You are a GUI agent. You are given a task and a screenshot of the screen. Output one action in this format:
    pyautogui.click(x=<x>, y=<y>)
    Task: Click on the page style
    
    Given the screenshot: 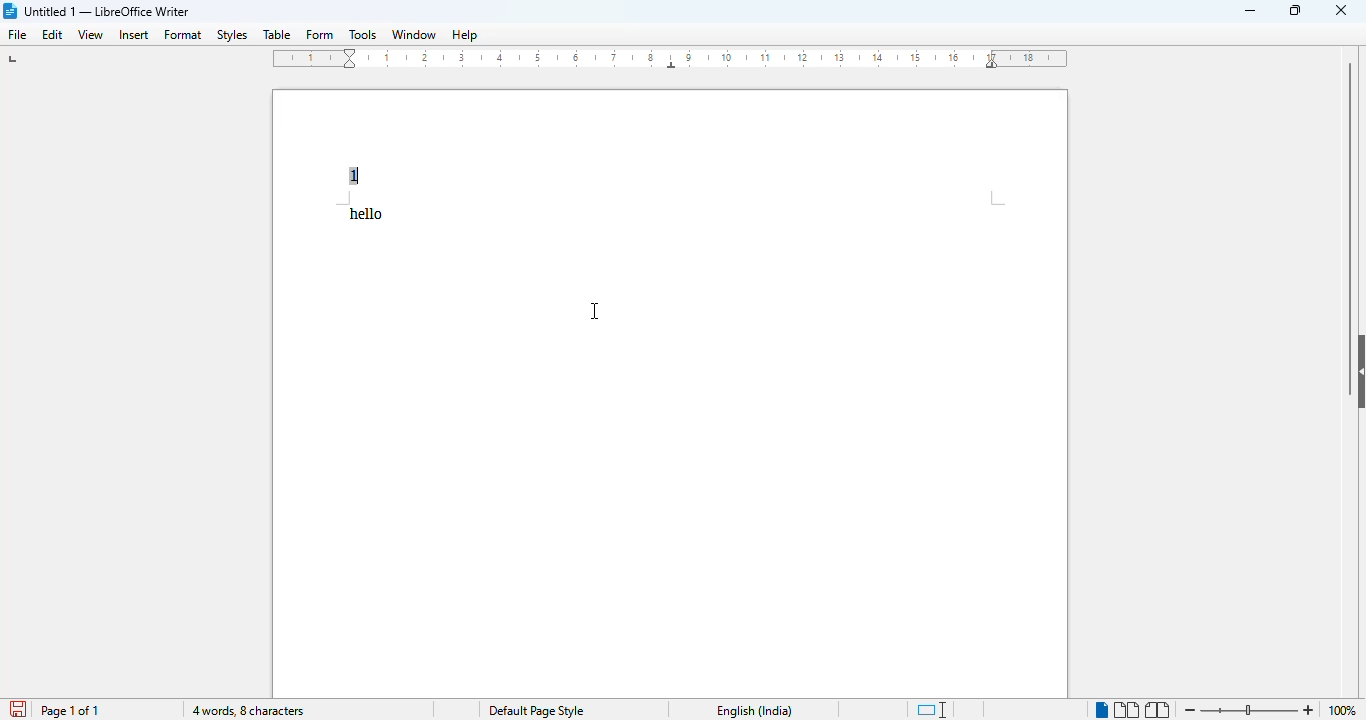 What is the action you would take?
    pyautogui.click(x=536, y=710)
    